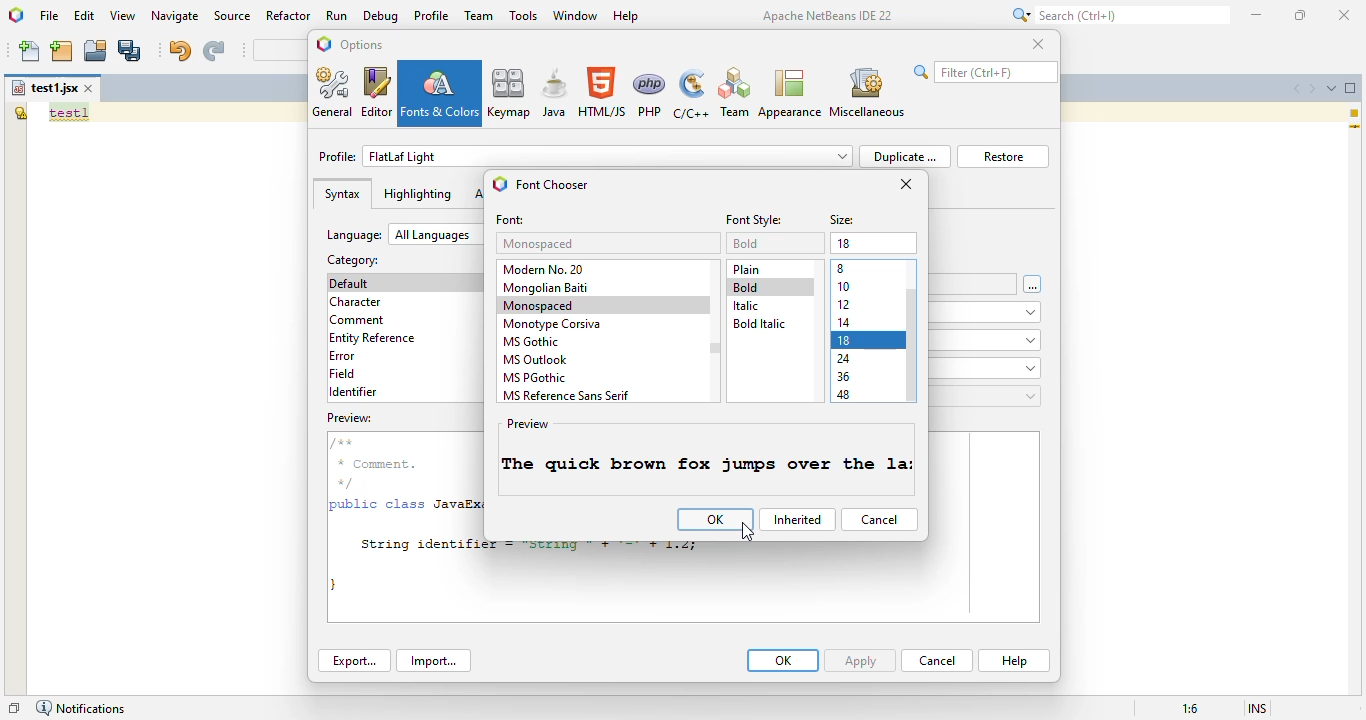 The image size is (1366, 720). I want to click on editor, so click(377, 92).